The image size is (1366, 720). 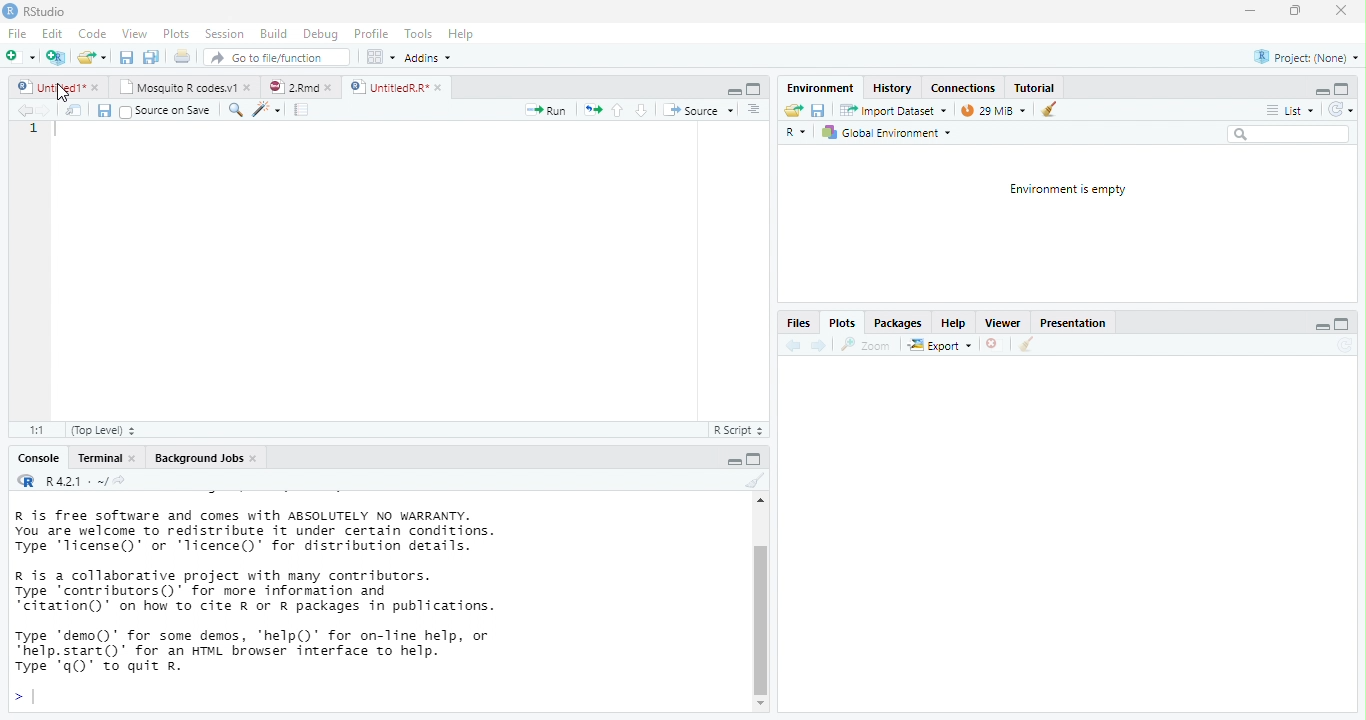 I want to click on cursor, so click(x=60, y=92).